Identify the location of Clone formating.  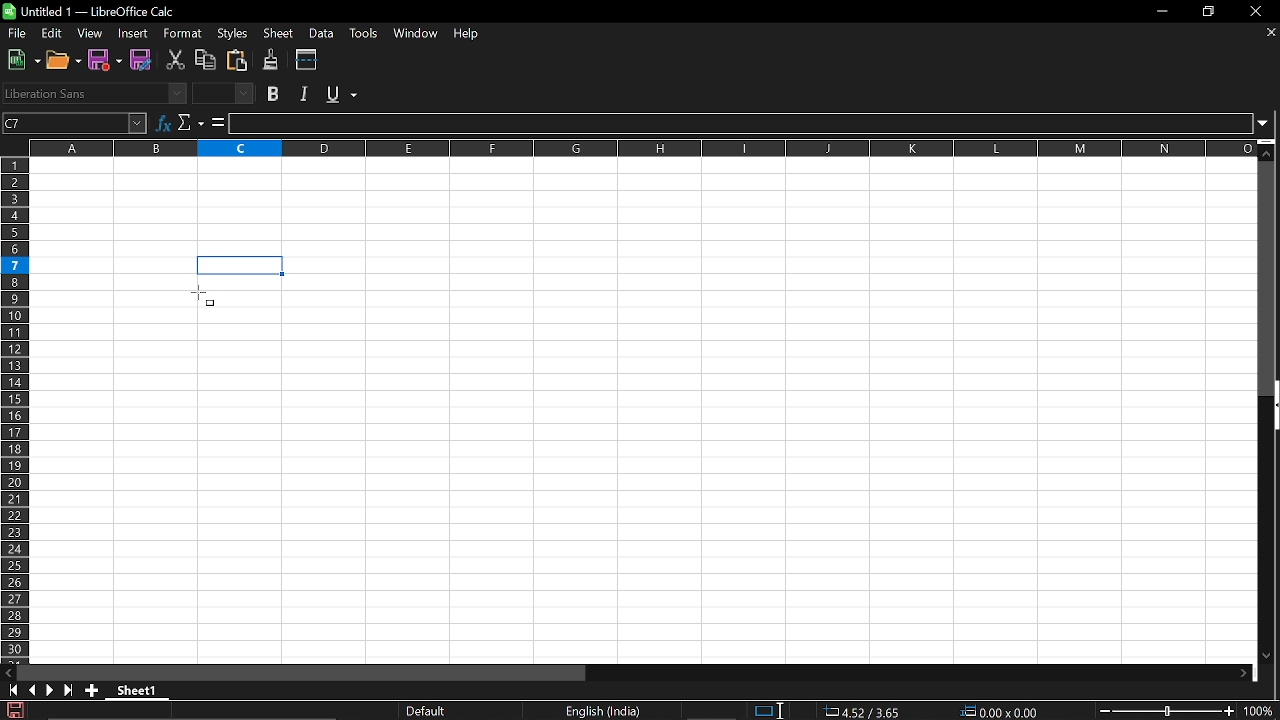
(270, 60).